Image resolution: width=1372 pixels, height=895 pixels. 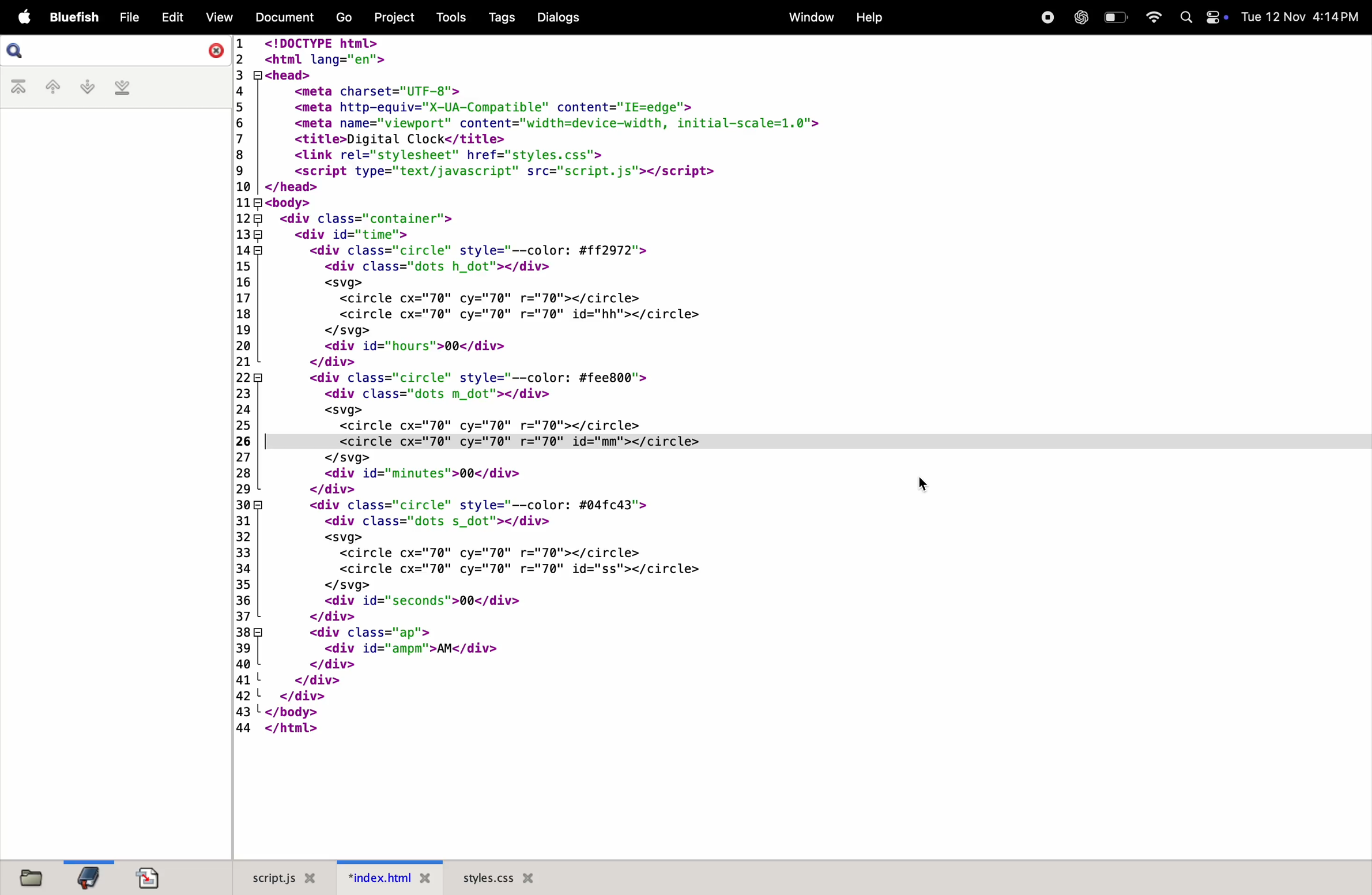 What do you see at coordinates (925, 483) in the screenshot?
I see `cursor` at bounding box center [925, 483].